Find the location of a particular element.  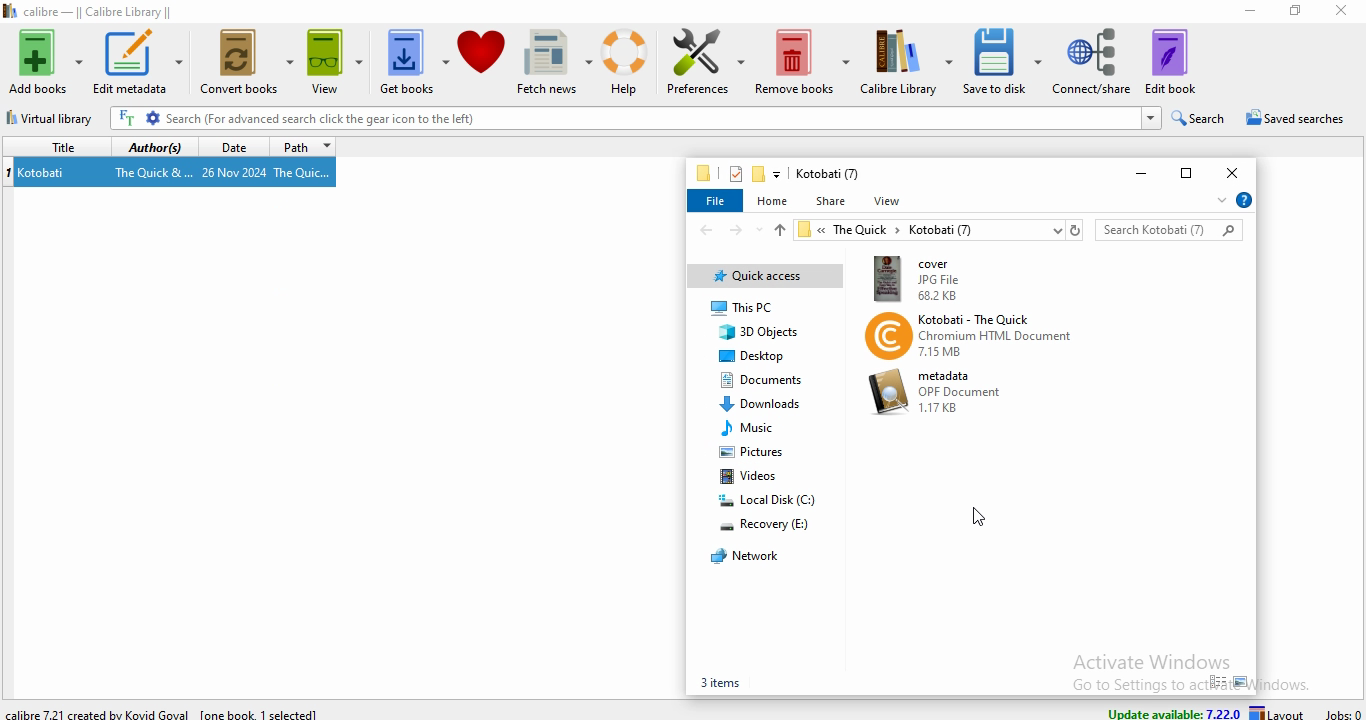

index no is located at coordinates (9, 172).